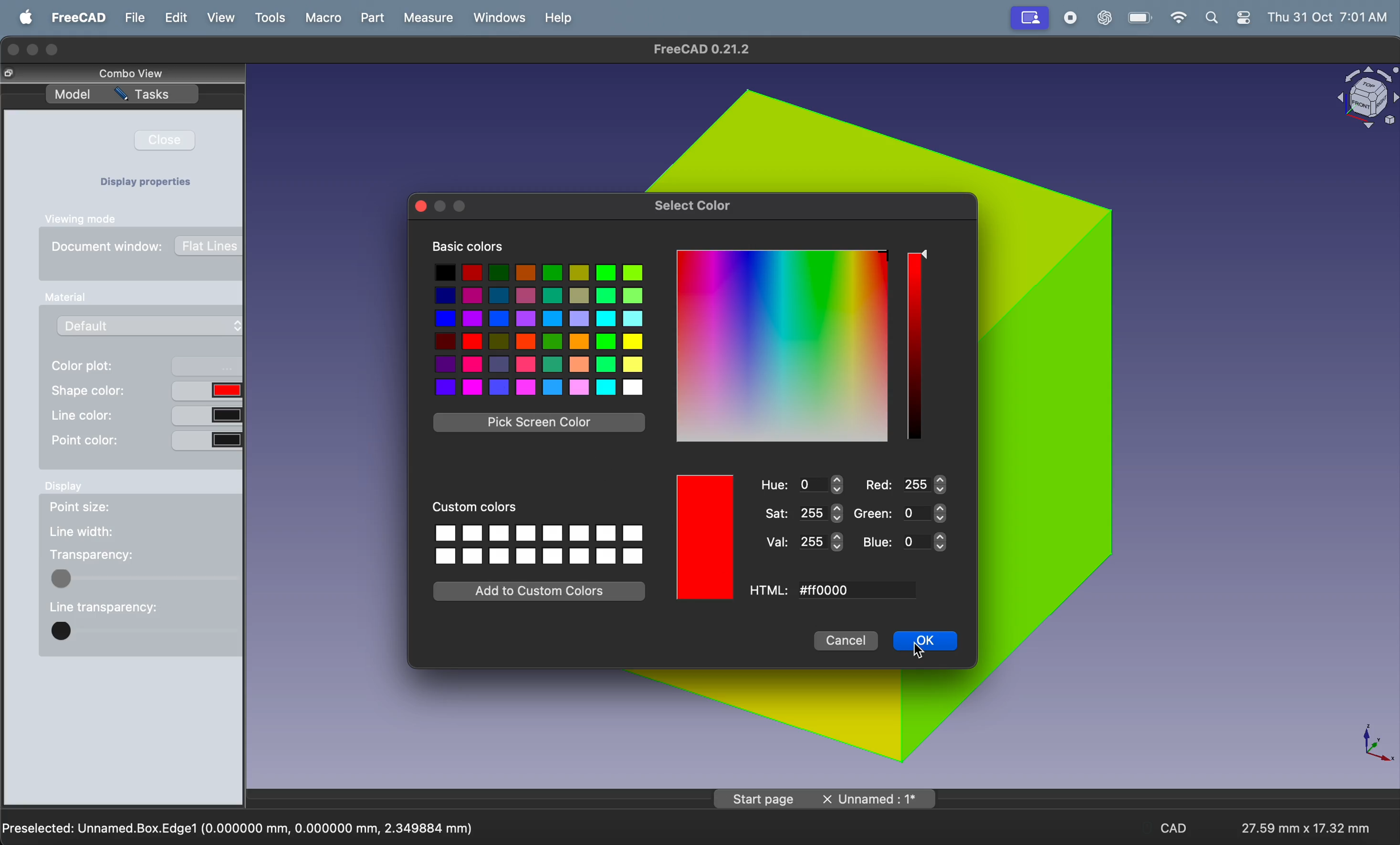  I want to click on point size, so click(97, 509).